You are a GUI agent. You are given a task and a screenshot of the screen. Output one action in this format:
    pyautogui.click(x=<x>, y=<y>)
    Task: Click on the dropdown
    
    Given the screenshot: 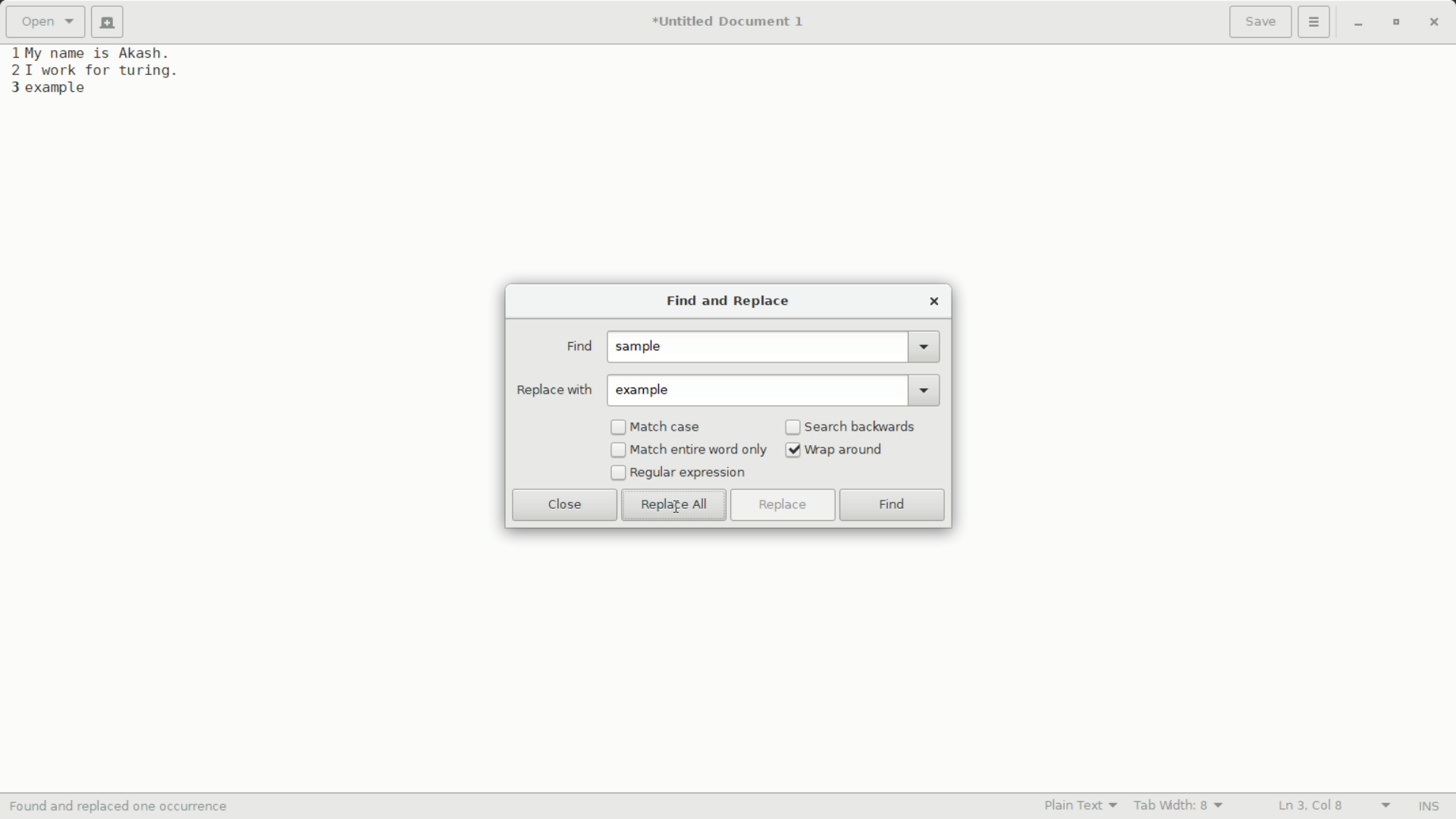 What is the action you would take?
    pyautogui.click(x=927, y=389)
    